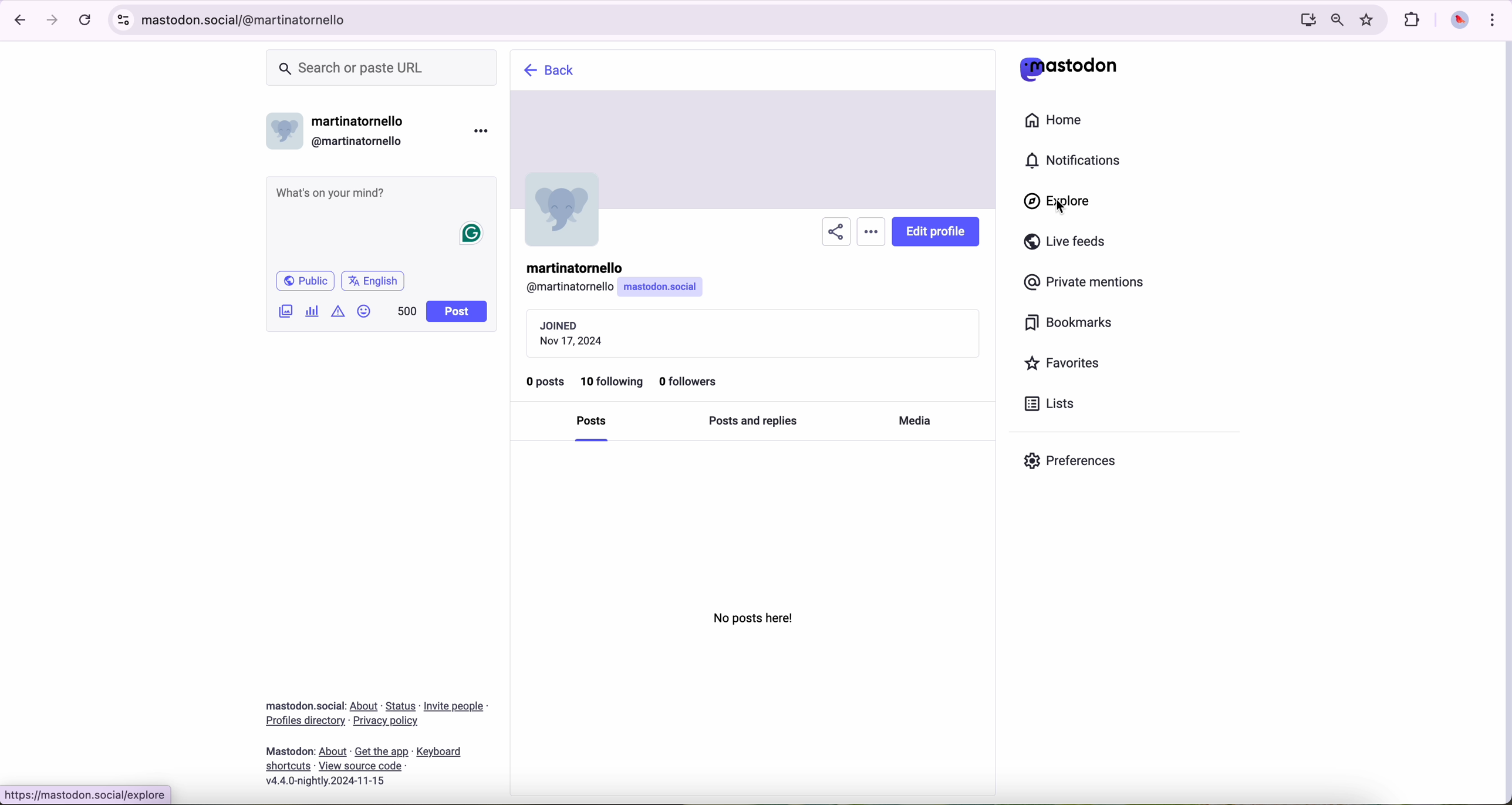  What do you see at coordinates (871, 231) in the screenshot?
I see `more options` at bounding box center [871, 231].